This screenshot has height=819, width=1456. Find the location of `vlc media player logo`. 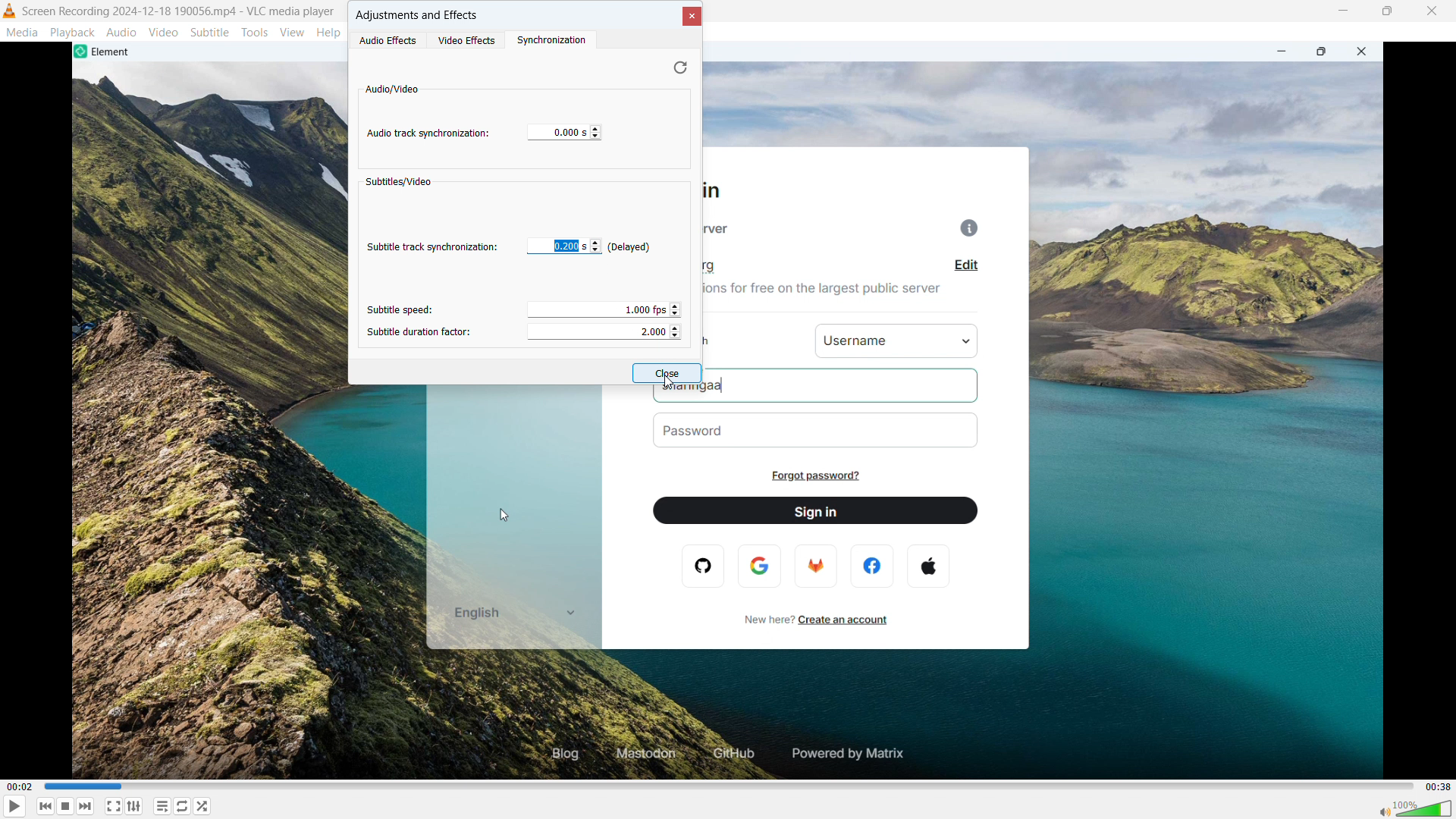

vlc media player logo is located at coordinates (10, 11).